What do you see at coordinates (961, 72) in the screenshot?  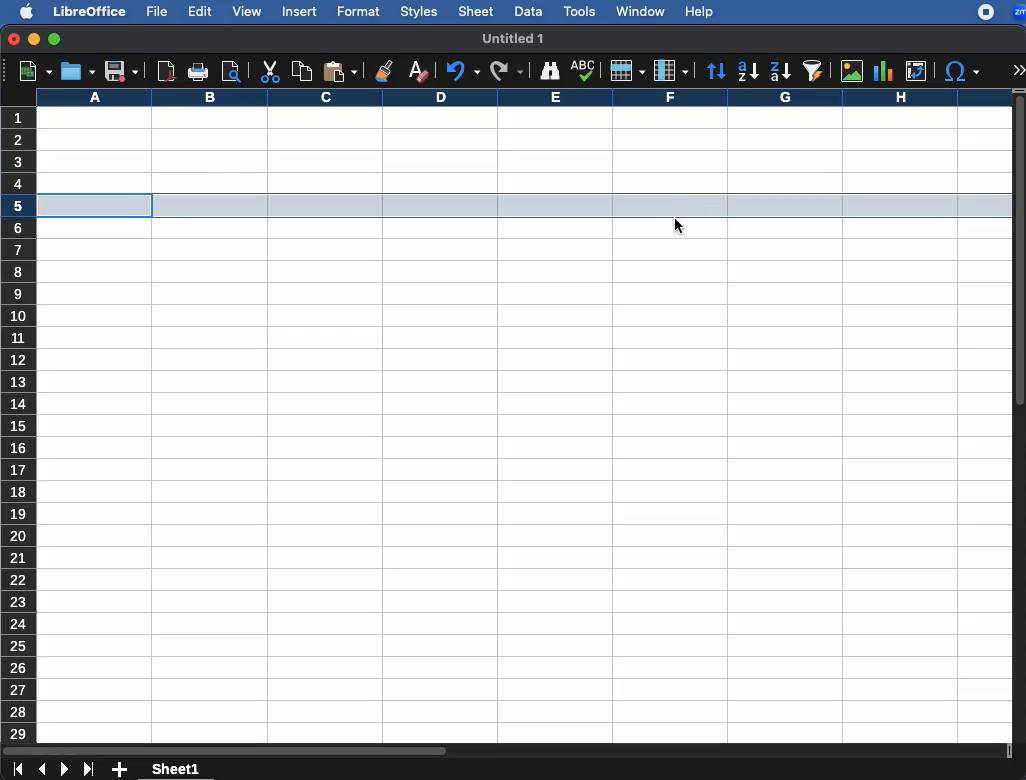 I see `special characters` at bounding box center [961, 72].